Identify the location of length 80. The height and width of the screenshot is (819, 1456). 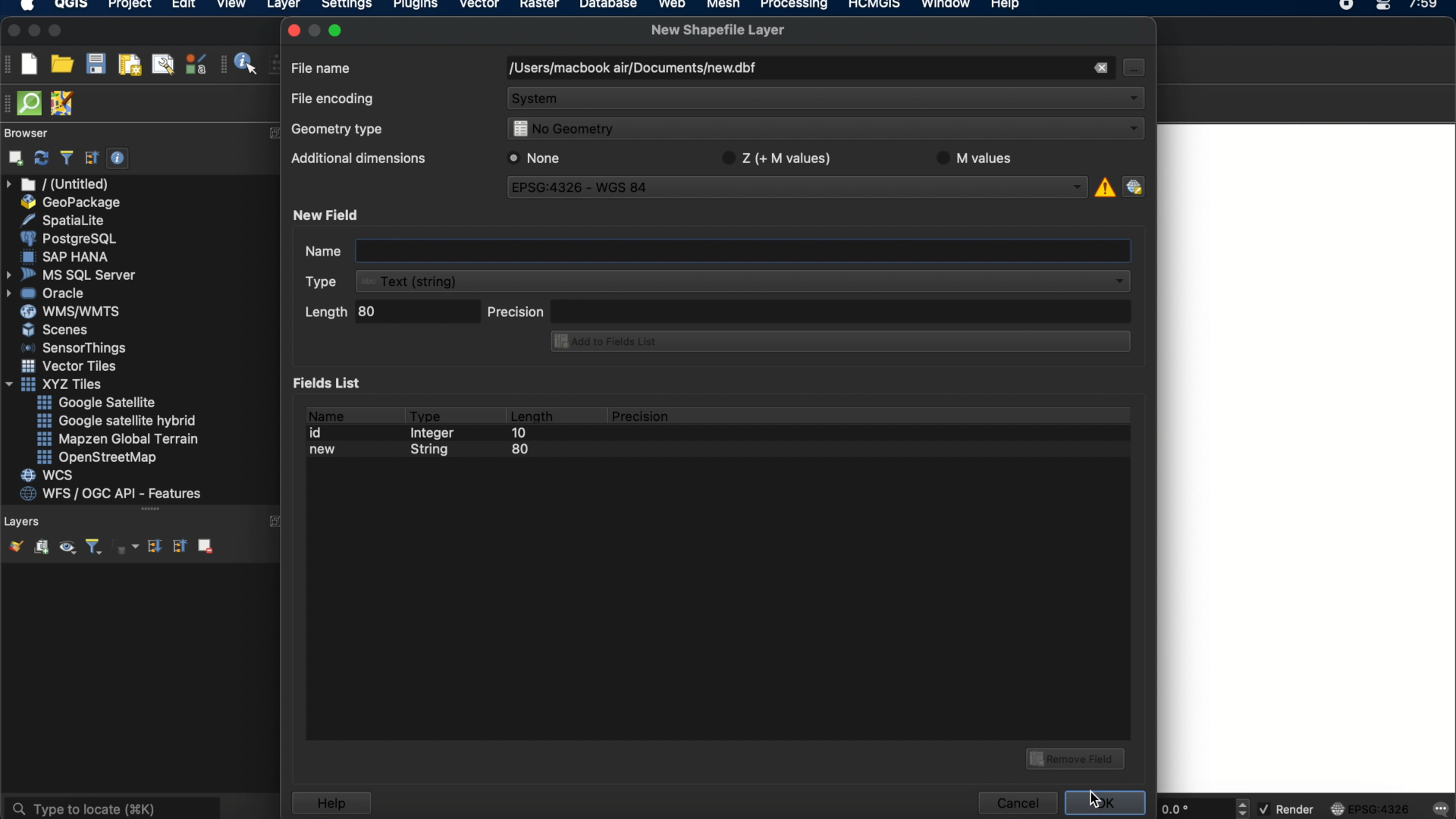
(389, 314).